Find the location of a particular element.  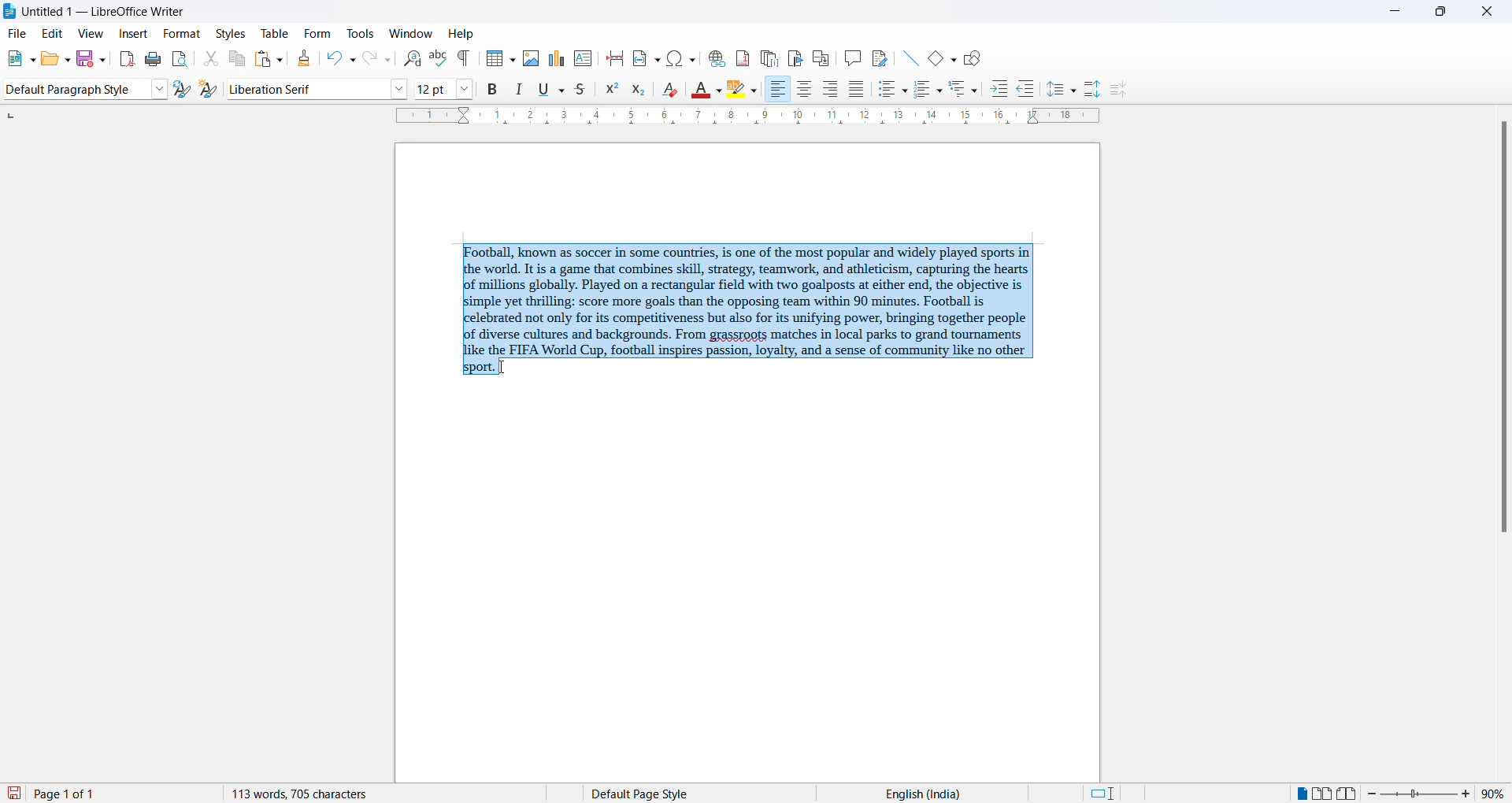

new file is located at coordinates (10, 57).